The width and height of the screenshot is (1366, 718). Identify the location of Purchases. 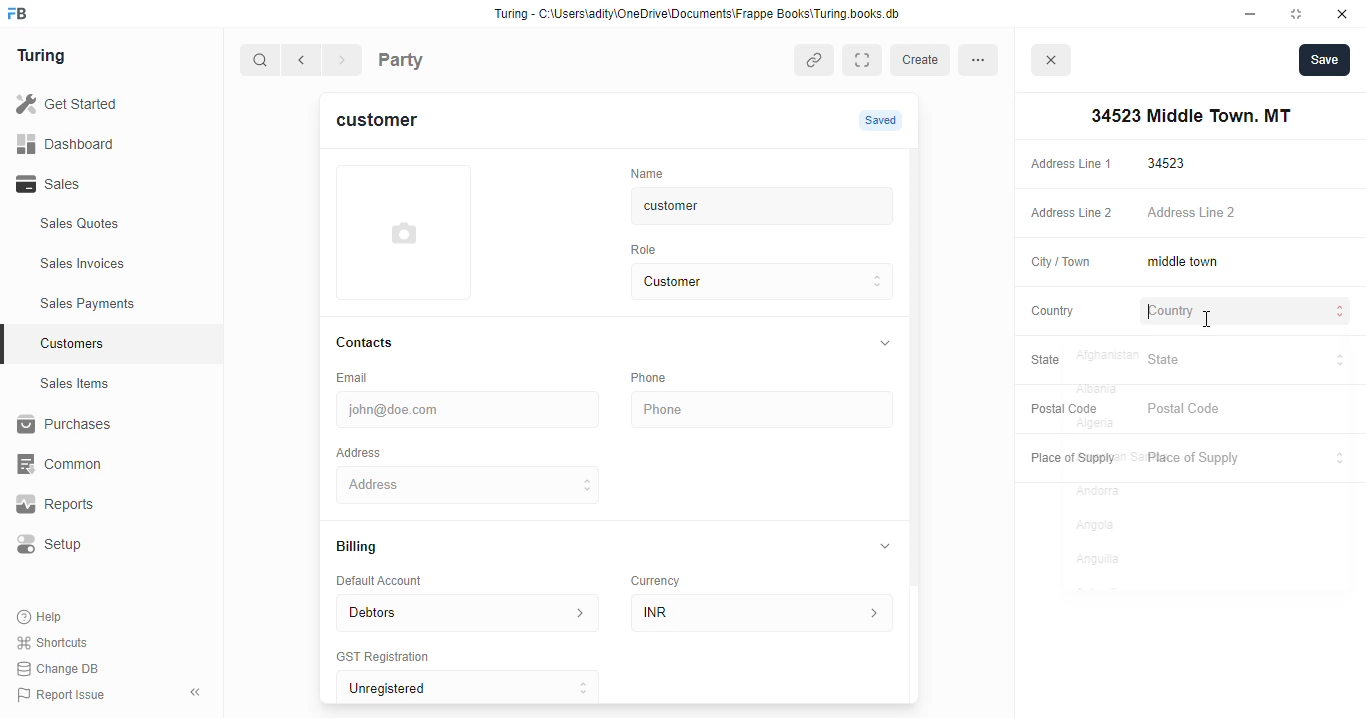
(100, 427).